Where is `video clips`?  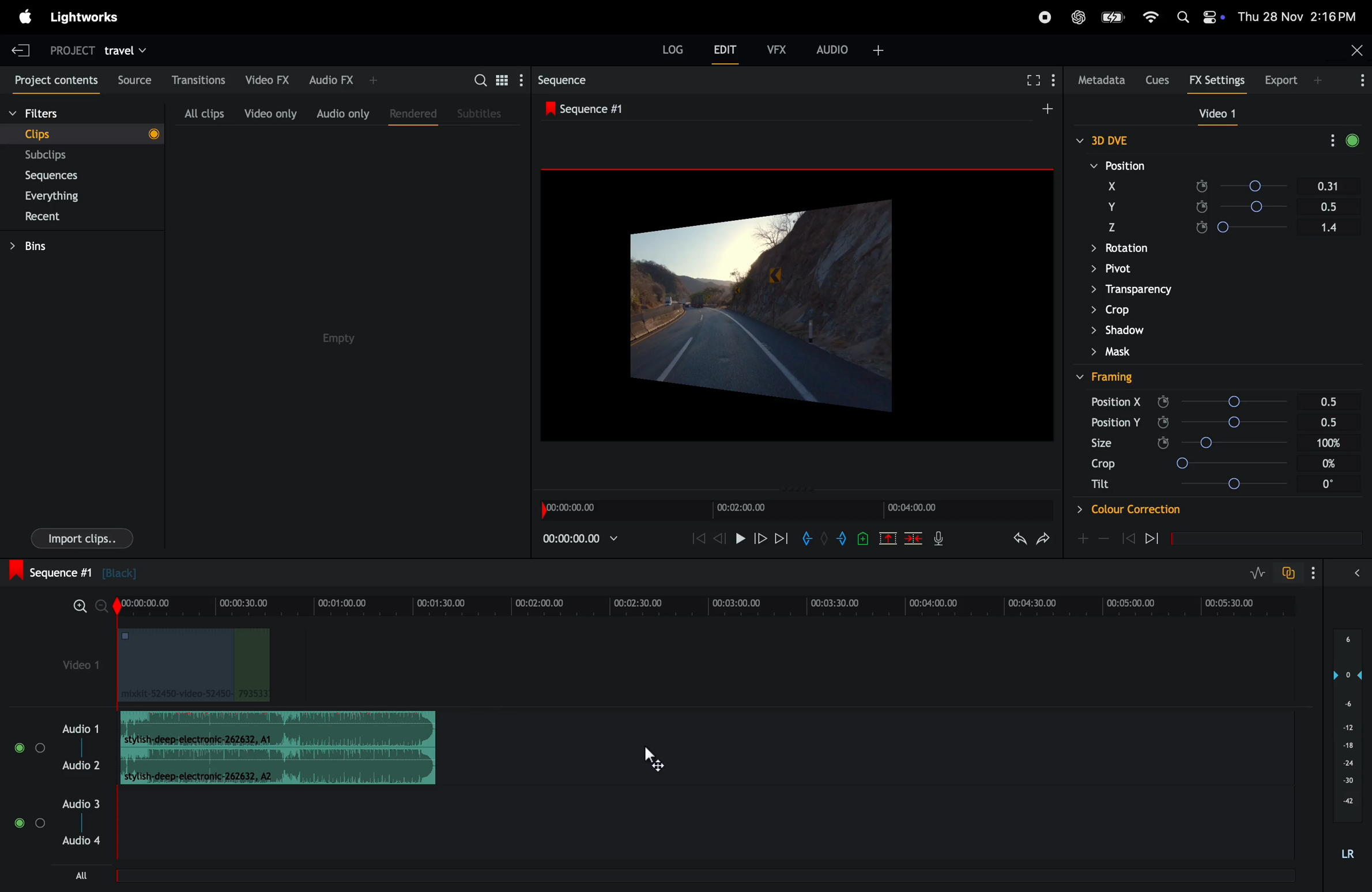 video clips is located at coordinates (191, 665).